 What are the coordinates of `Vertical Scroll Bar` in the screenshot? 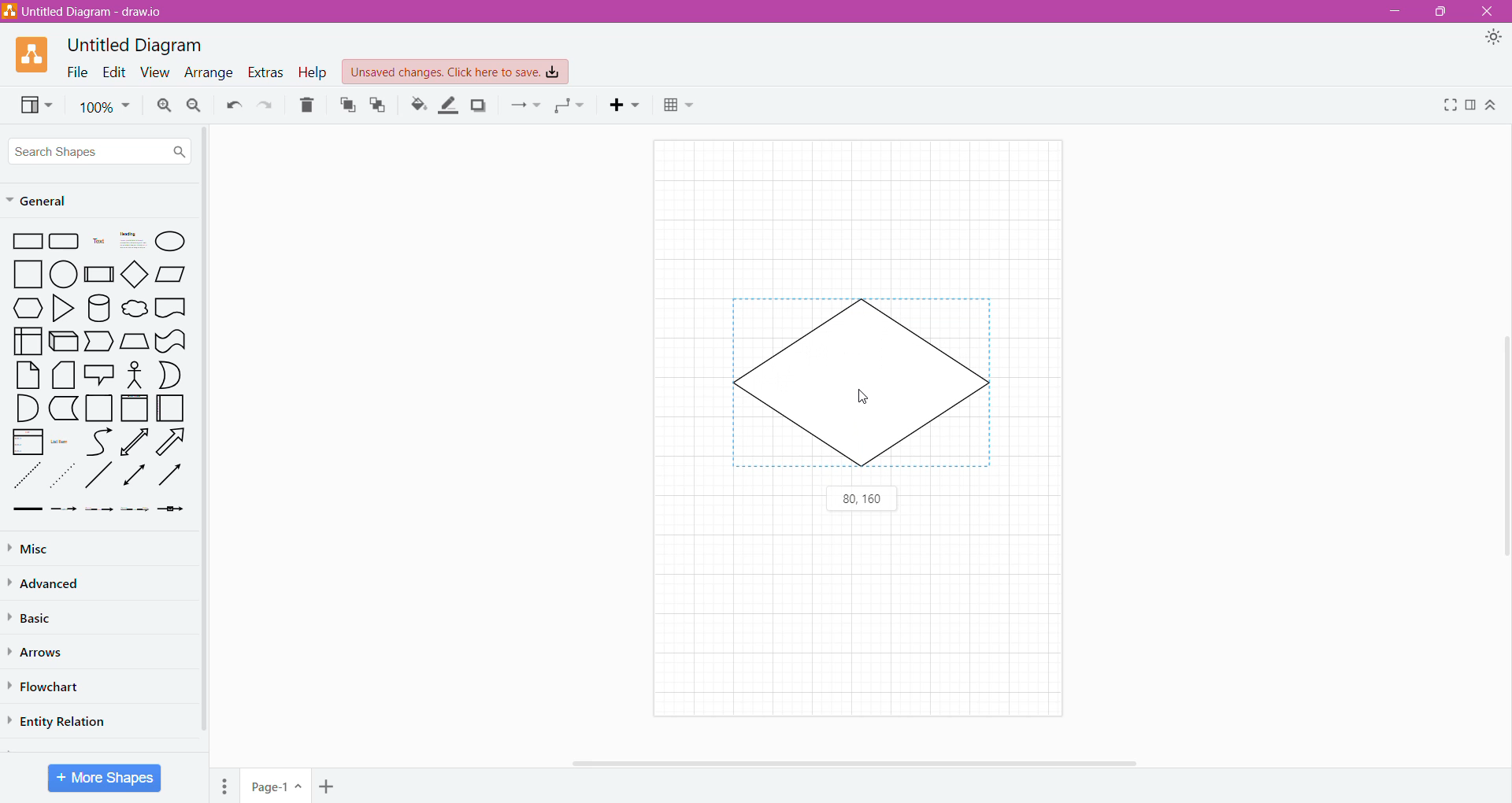 It's located at (1502, 439).